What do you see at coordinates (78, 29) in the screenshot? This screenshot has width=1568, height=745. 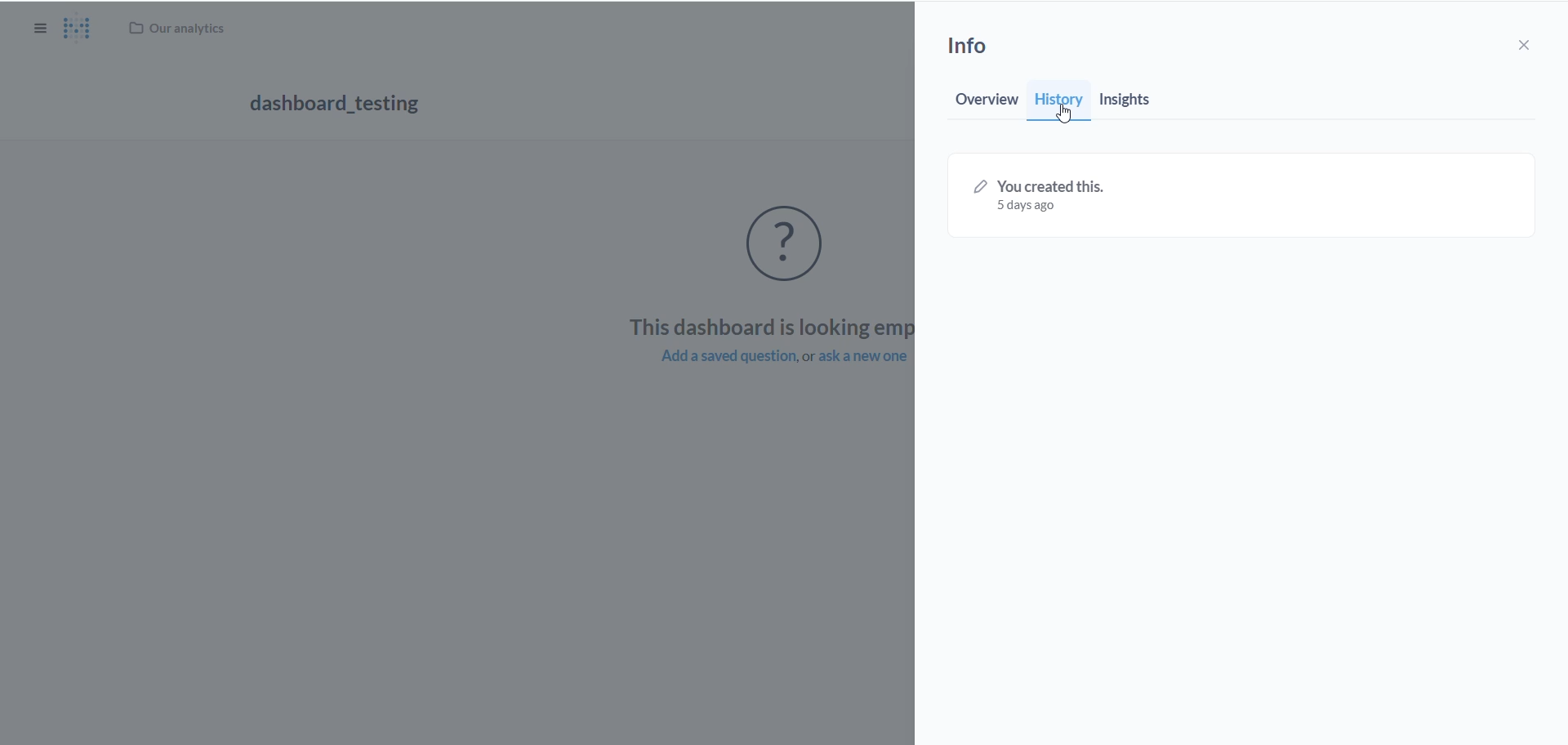 I see `metabase Logo` at bounding box center [78, 29].